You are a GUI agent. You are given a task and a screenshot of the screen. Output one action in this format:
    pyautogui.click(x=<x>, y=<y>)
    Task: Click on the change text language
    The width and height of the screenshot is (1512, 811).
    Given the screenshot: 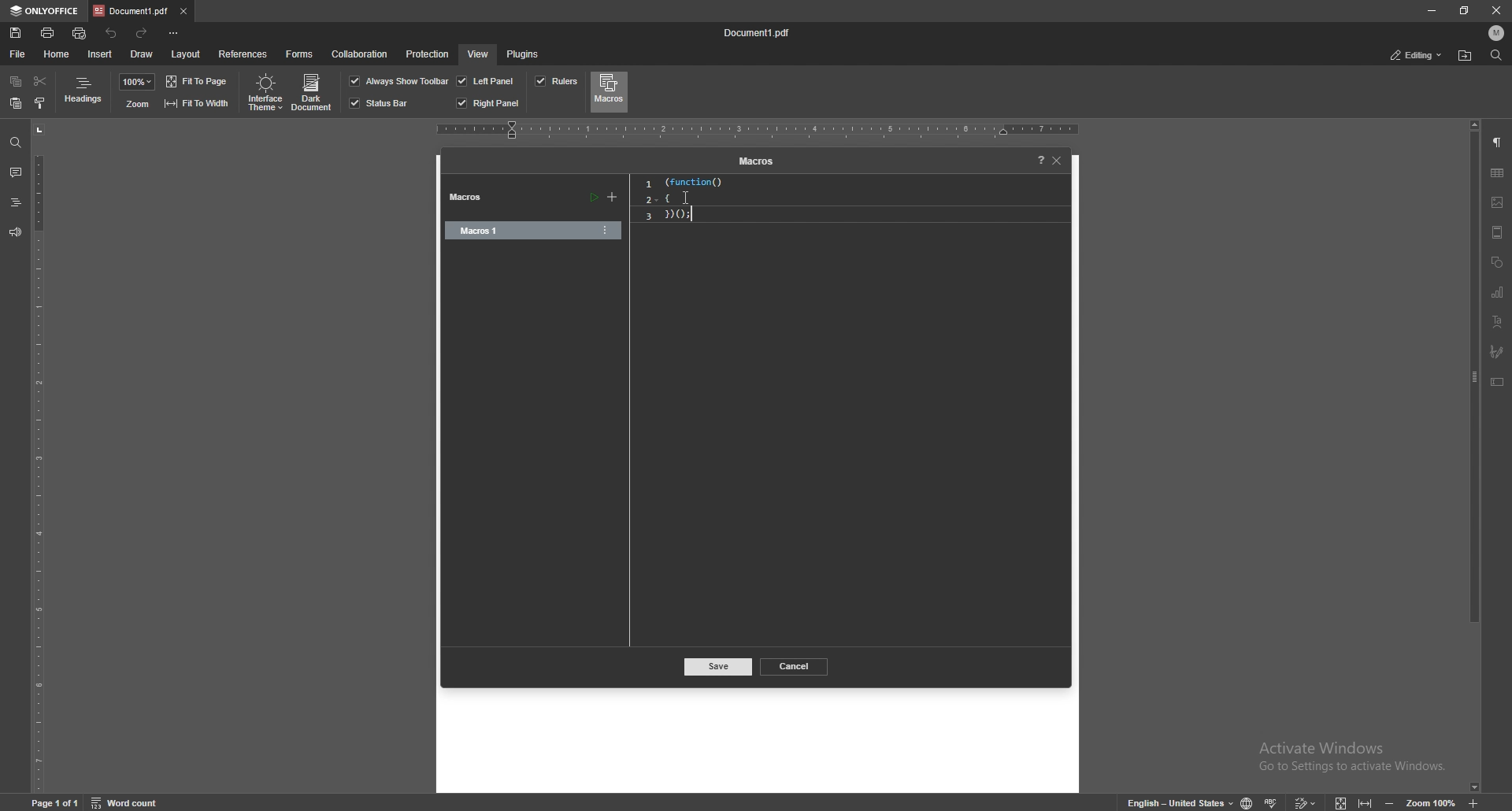 What is the action you would take?
    pyautogui.click(x=1173, y=801)
    